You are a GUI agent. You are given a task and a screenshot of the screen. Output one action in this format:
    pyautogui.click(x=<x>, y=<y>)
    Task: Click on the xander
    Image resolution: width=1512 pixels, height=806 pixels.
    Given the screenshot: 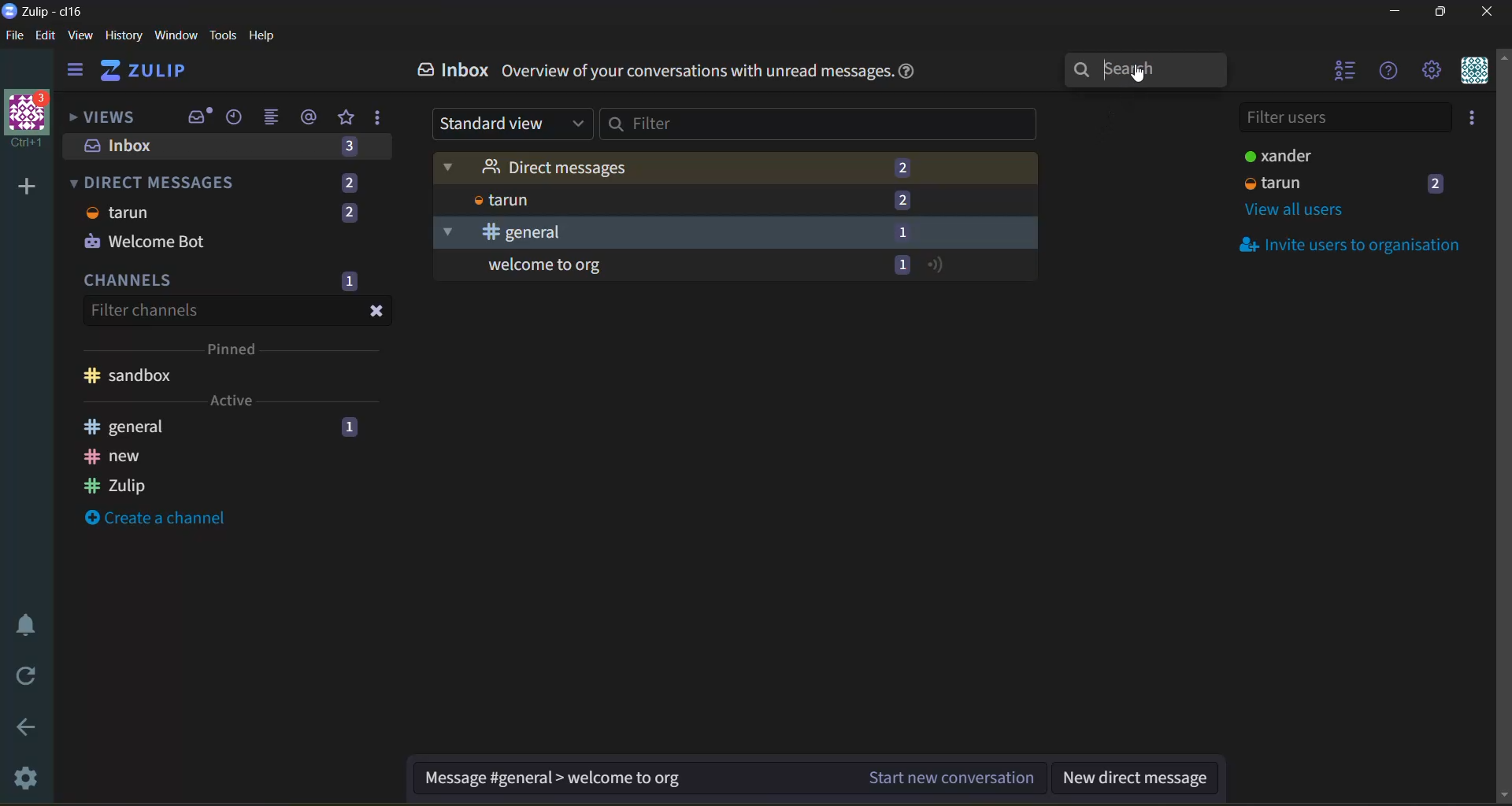 What is the action you would take?
    pyautogui.click(x=1275, y=155)
    